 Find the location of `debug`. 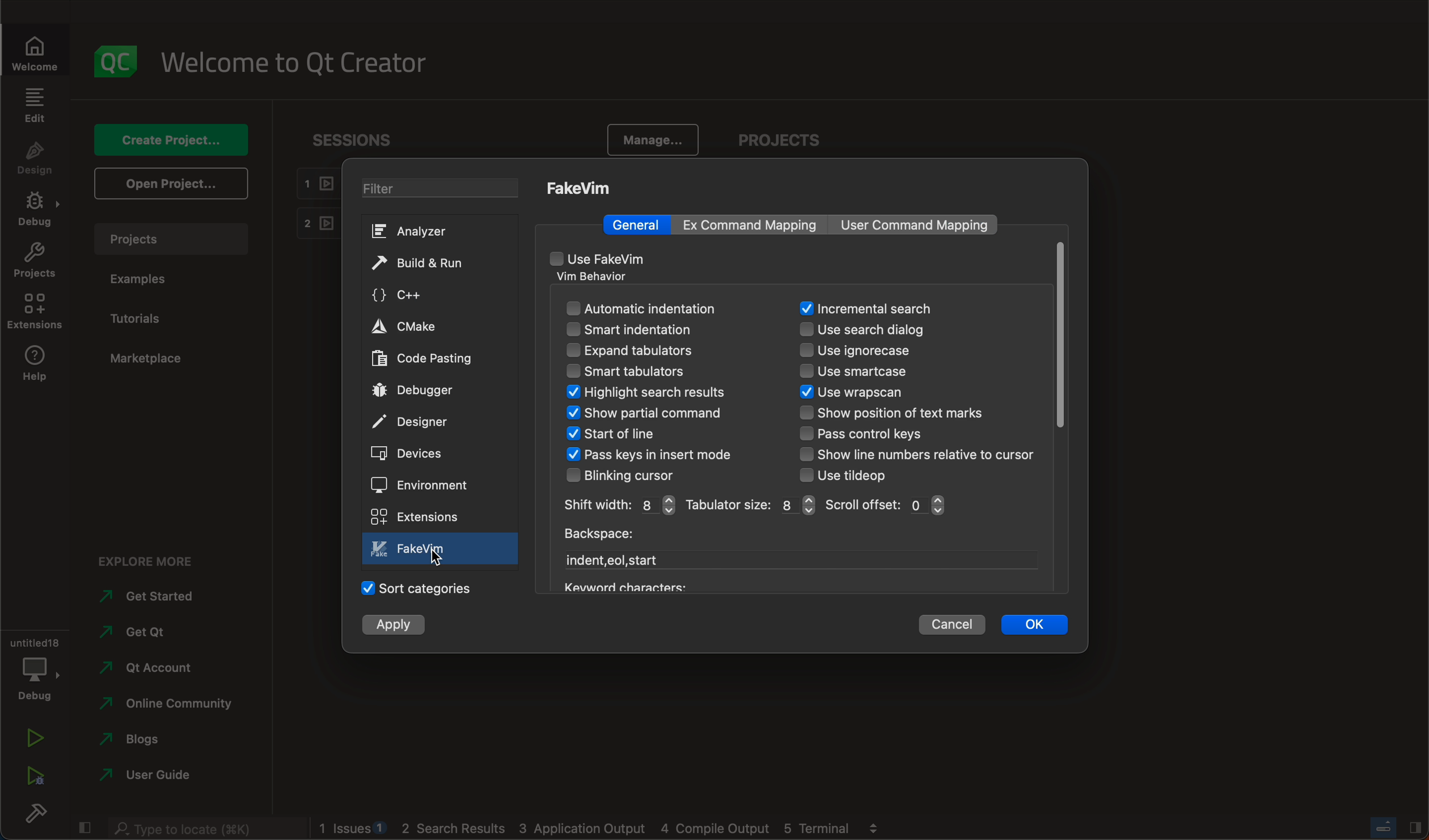

debug is located at coordinates (36, 667).